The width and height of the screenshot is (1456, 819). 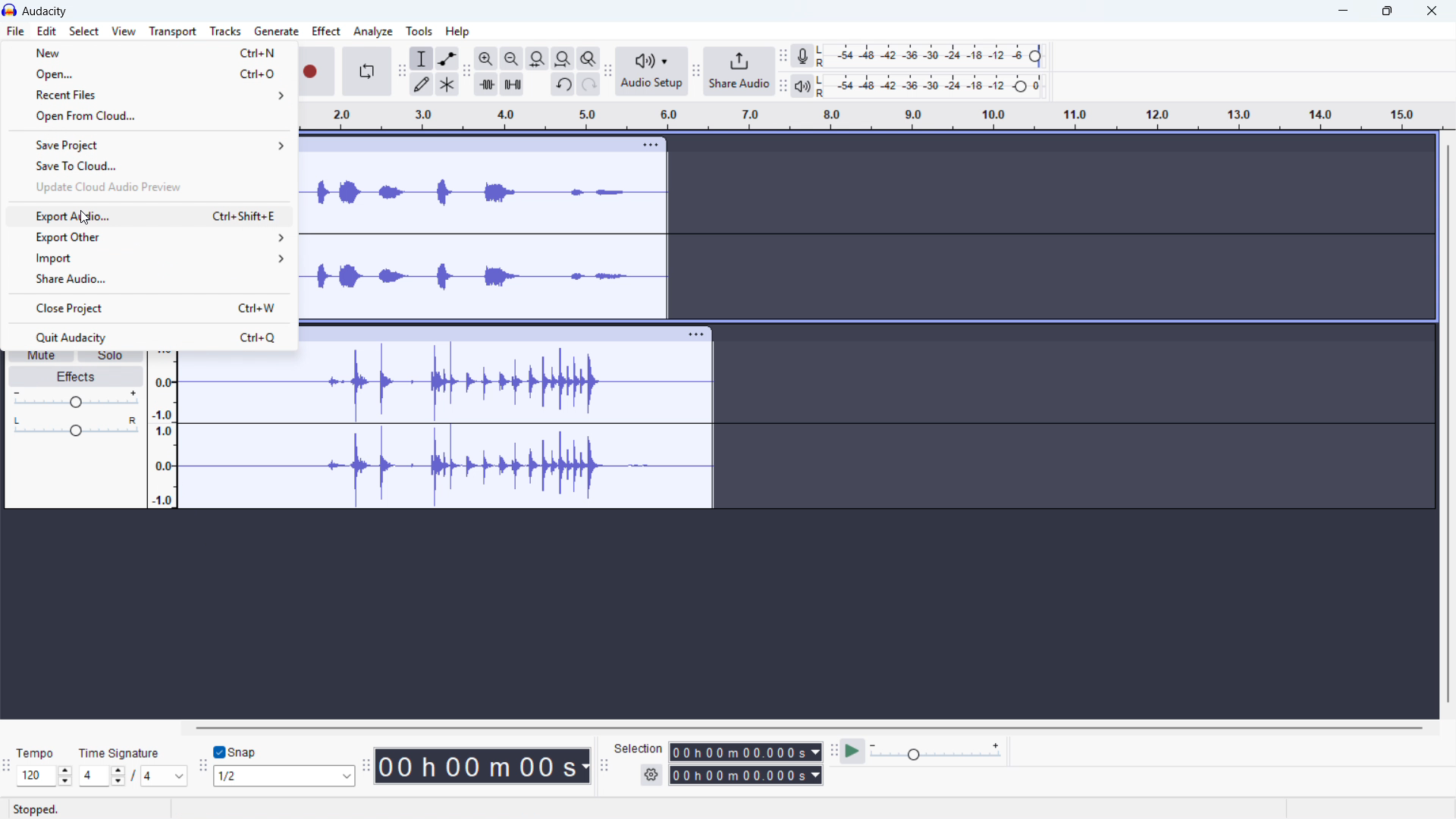 What do you see at coordinates (316, 72) in the screenshot?
I see `Record ` at bounding box center [316, 72].